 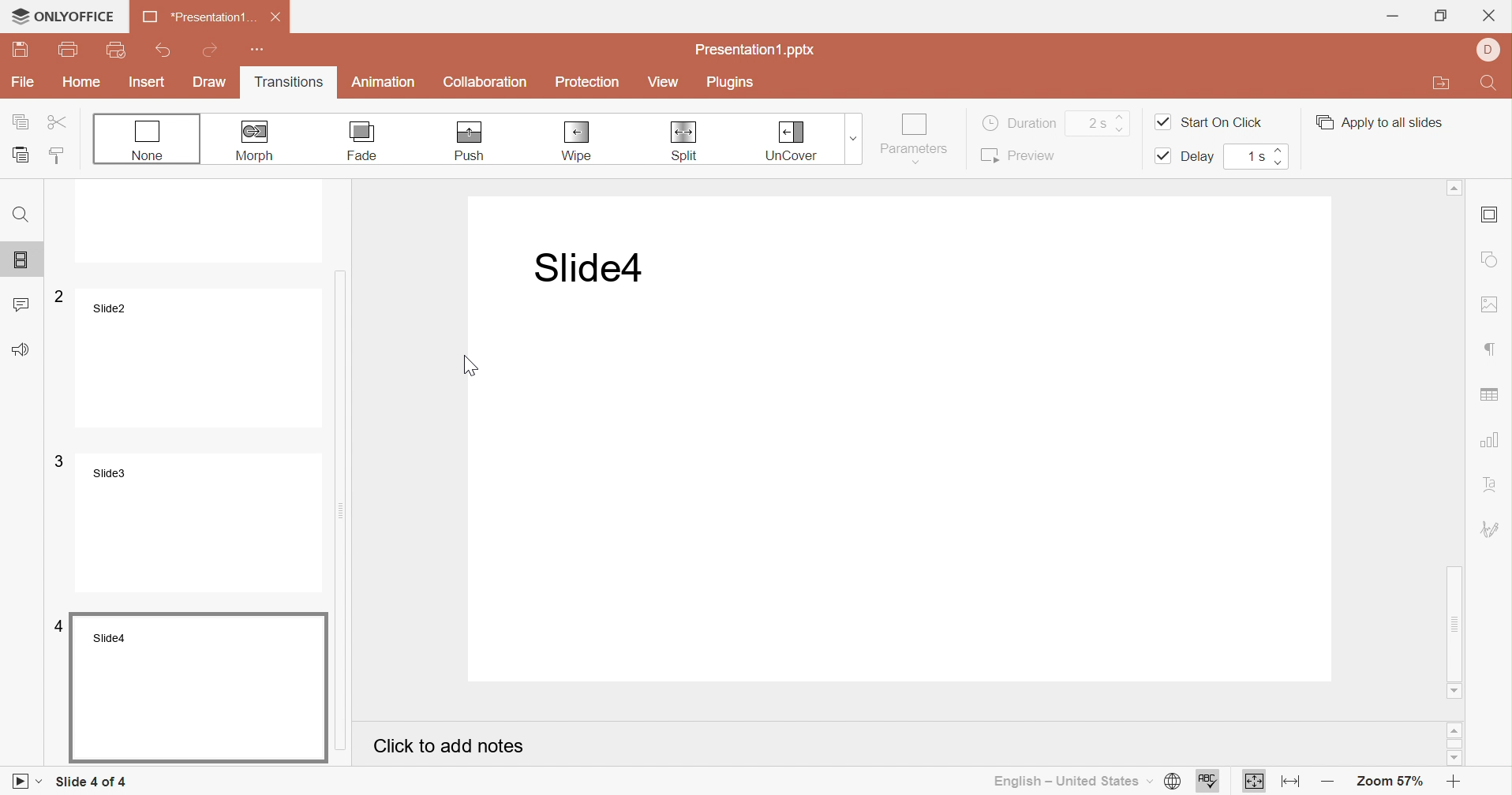 I want to click on None, so click(x=146, y=139).